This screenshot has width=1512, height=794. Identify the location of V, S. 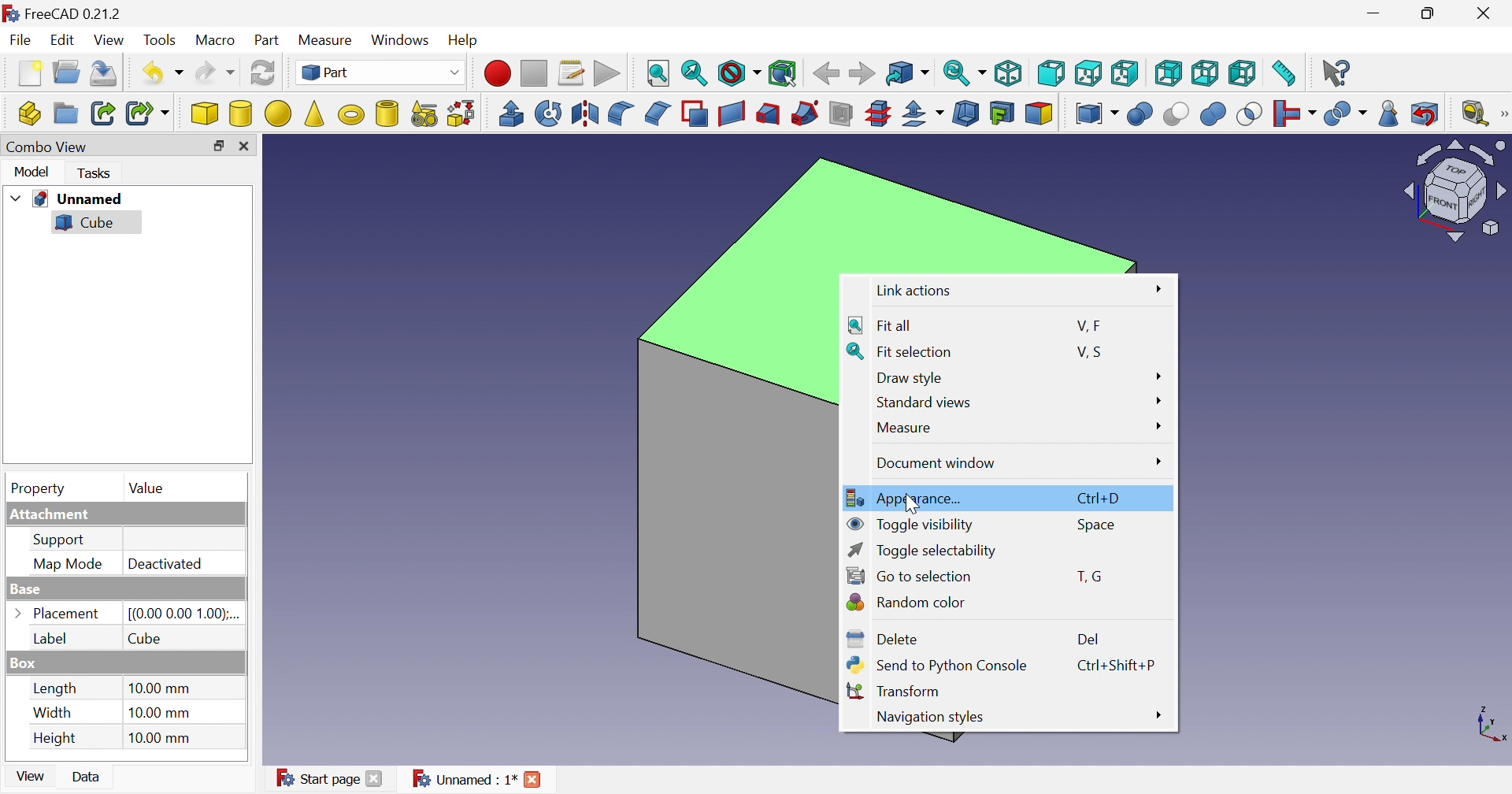
(1094, 351).